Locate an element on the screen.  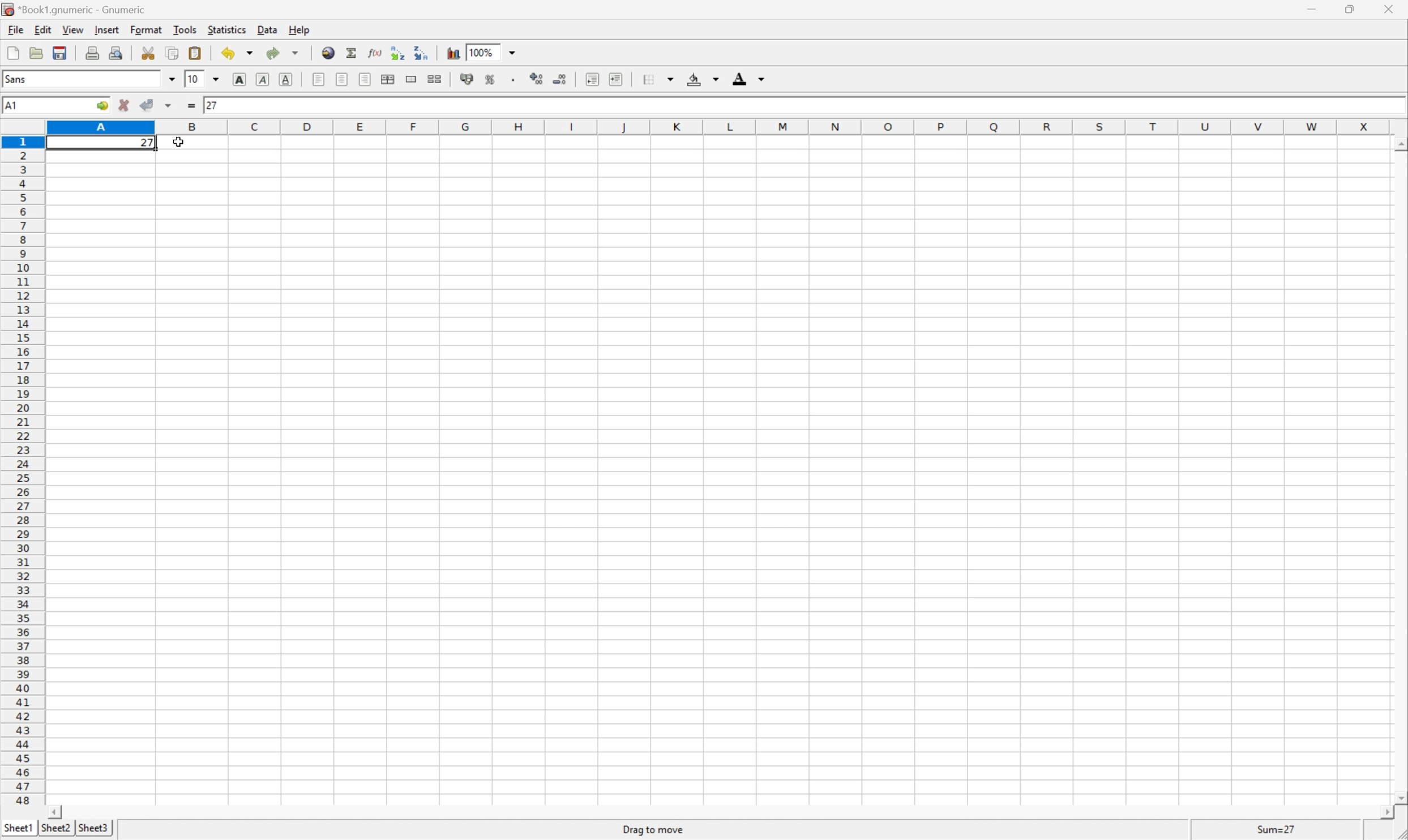
Accept changes across multiple cells is located at coordinates (169, 106).